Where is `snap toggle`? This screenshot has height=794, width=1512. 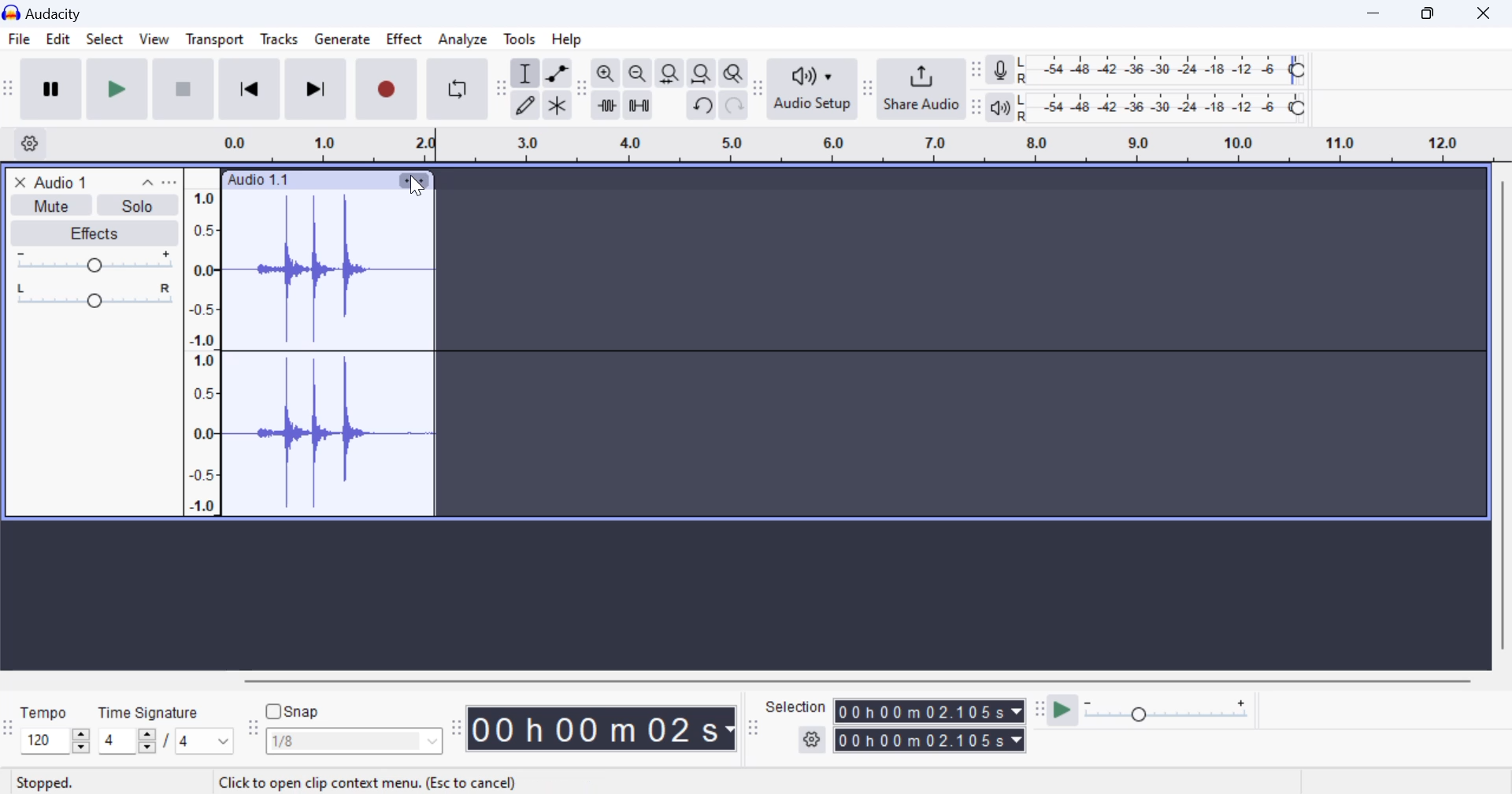
snap toggle is located at coordinates (301, 711).